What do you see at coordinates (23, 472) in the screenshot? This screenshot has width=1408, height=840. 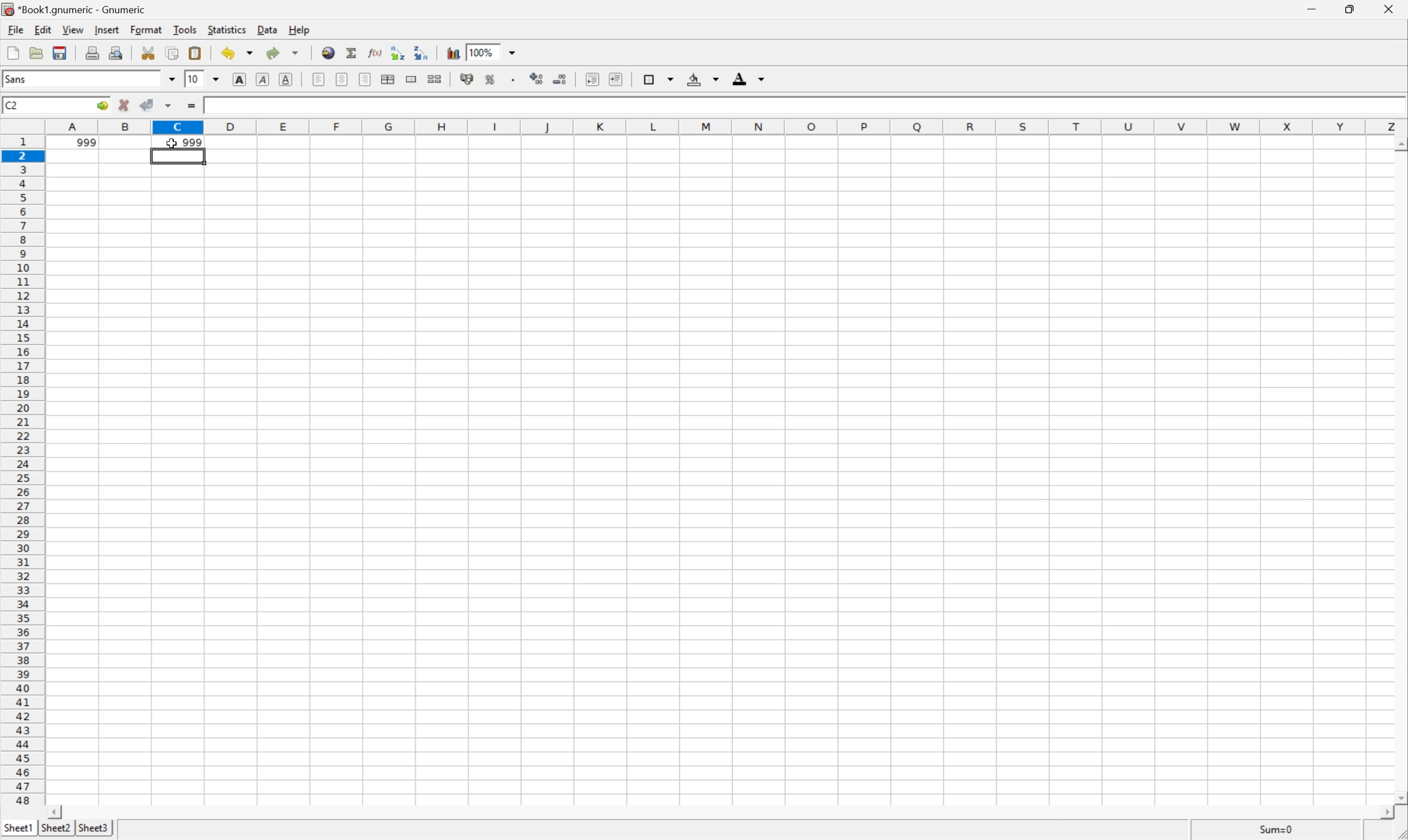 I see `row numbers` at bounding box center [23, 472].